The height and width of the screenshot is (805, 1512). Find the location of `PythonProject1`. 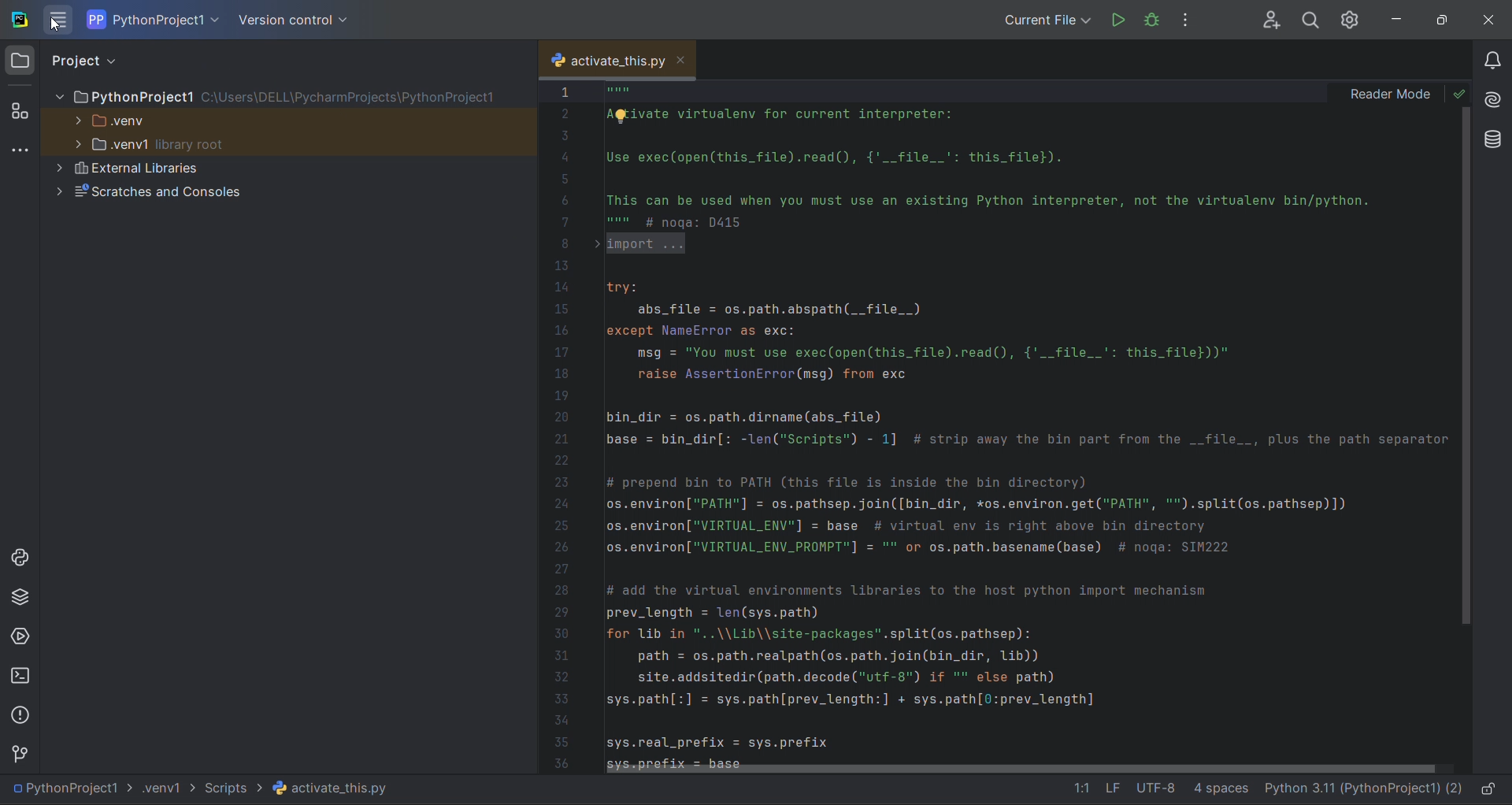

PythonProject1 is located at coordinates (292, 94).